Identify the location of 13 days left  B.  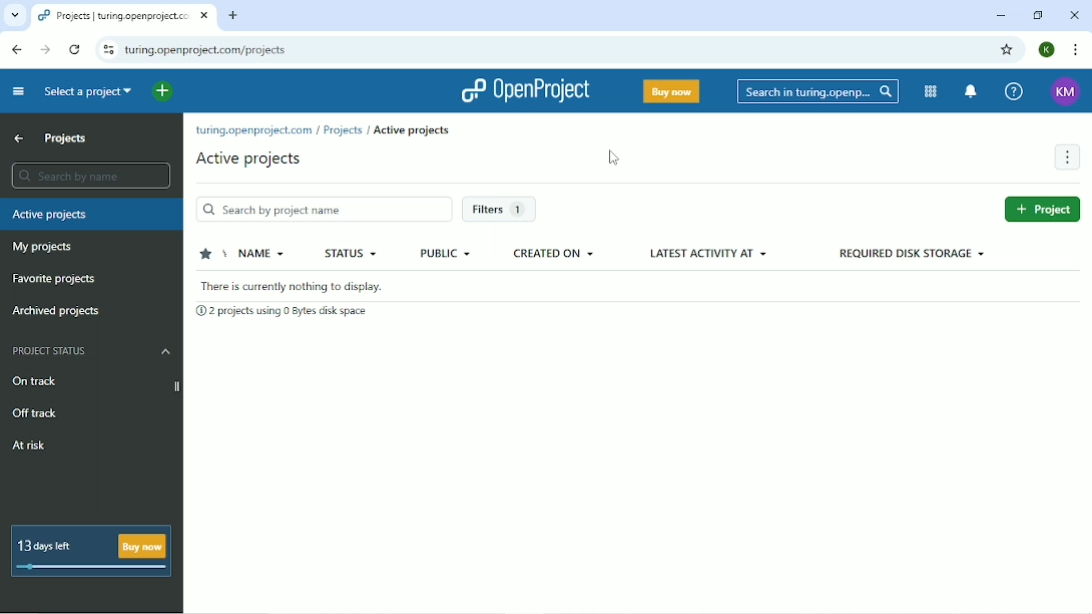
(55, 542).